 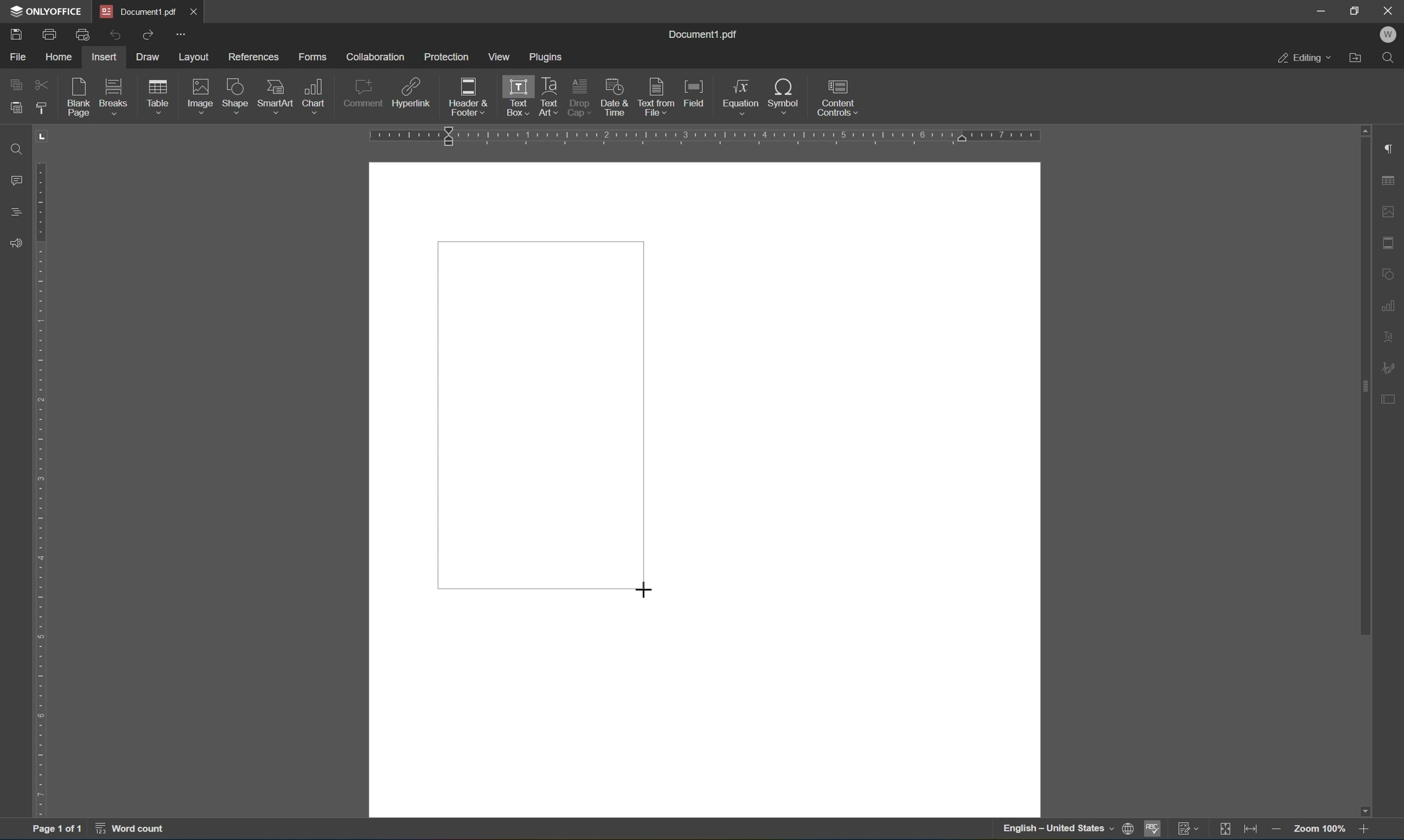 I want to click on zoom in, so click(x=1279, y=830).